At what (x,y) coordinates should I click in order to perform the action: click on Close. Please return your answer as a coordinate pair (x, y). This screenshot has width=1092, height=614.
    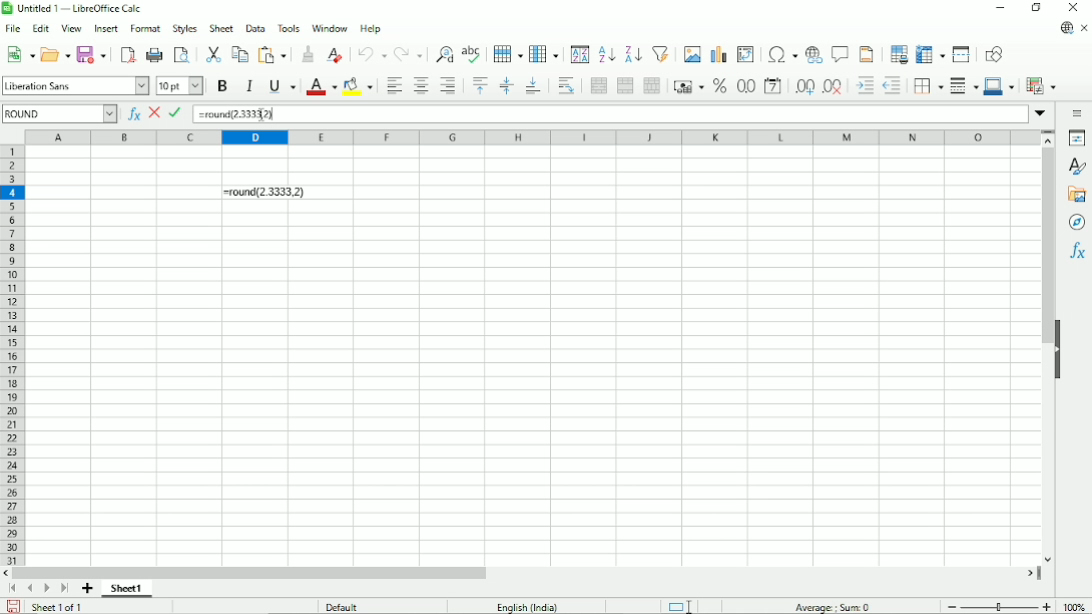
    Looking at the image, I should click on (1074, 7).